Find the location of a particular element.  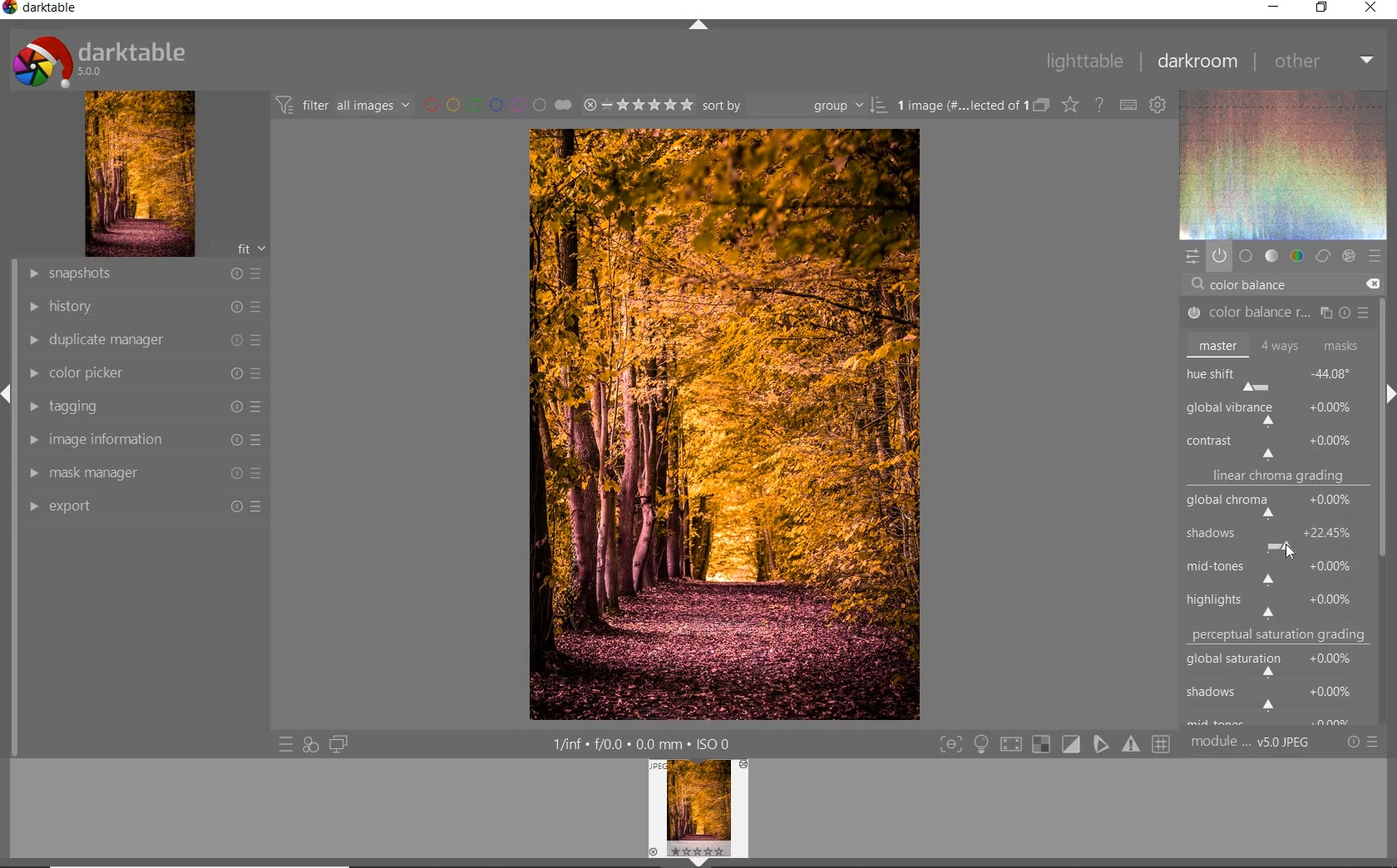

COLOR BALANCE is located at coordinates (1253, 285).